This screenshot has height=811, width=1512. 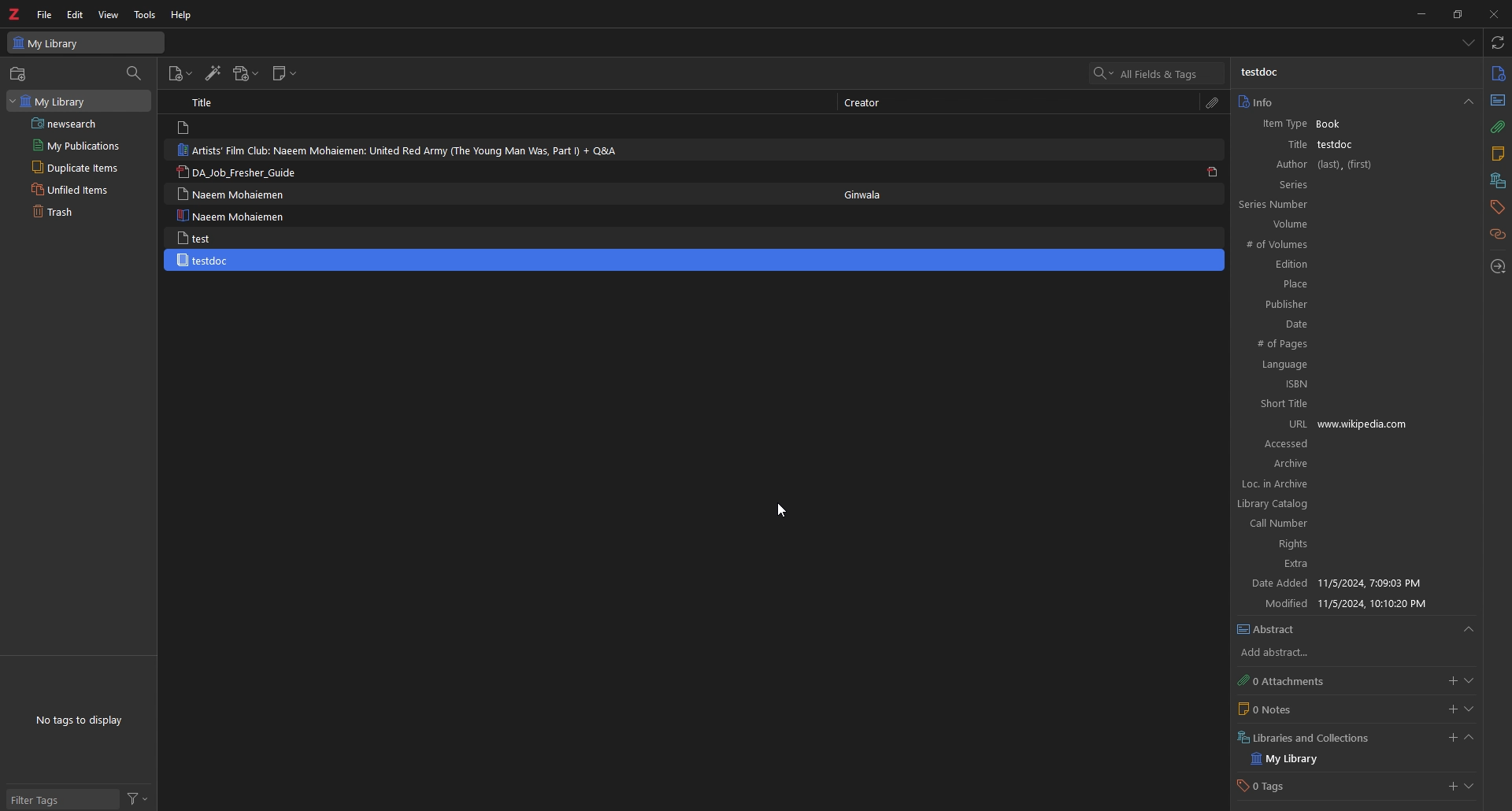 What do you see at coordinates (1350, 584) in the screenshot?
I see `Date Added 11/5/2024, 7:09:03 PM` at bounding box center [1350, 584].